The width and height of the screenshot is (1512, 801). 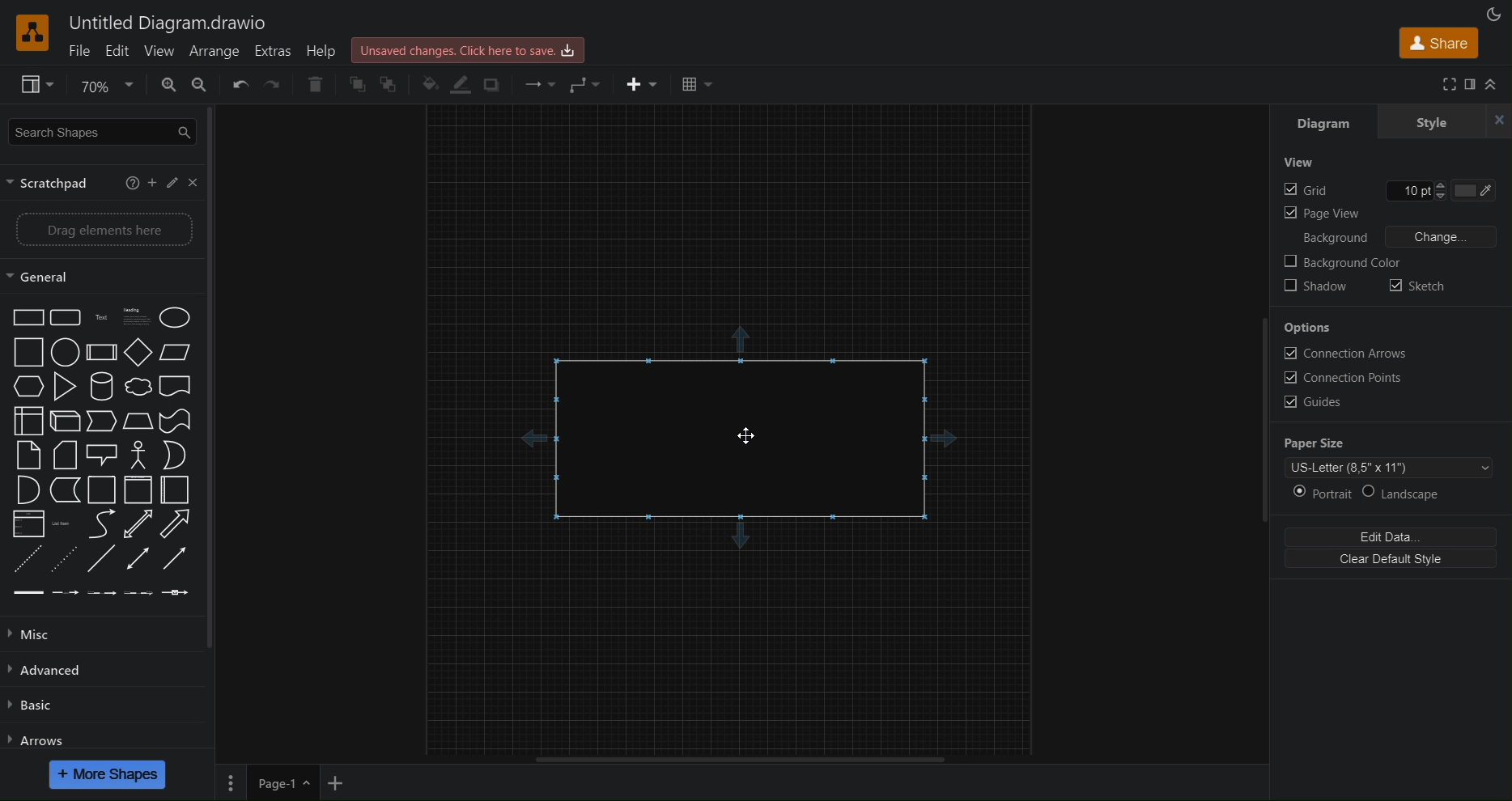 What do you see at coordinates (1497, 84) in the screenshot?
I see `Collapse` at bounding box center [1497, 84].